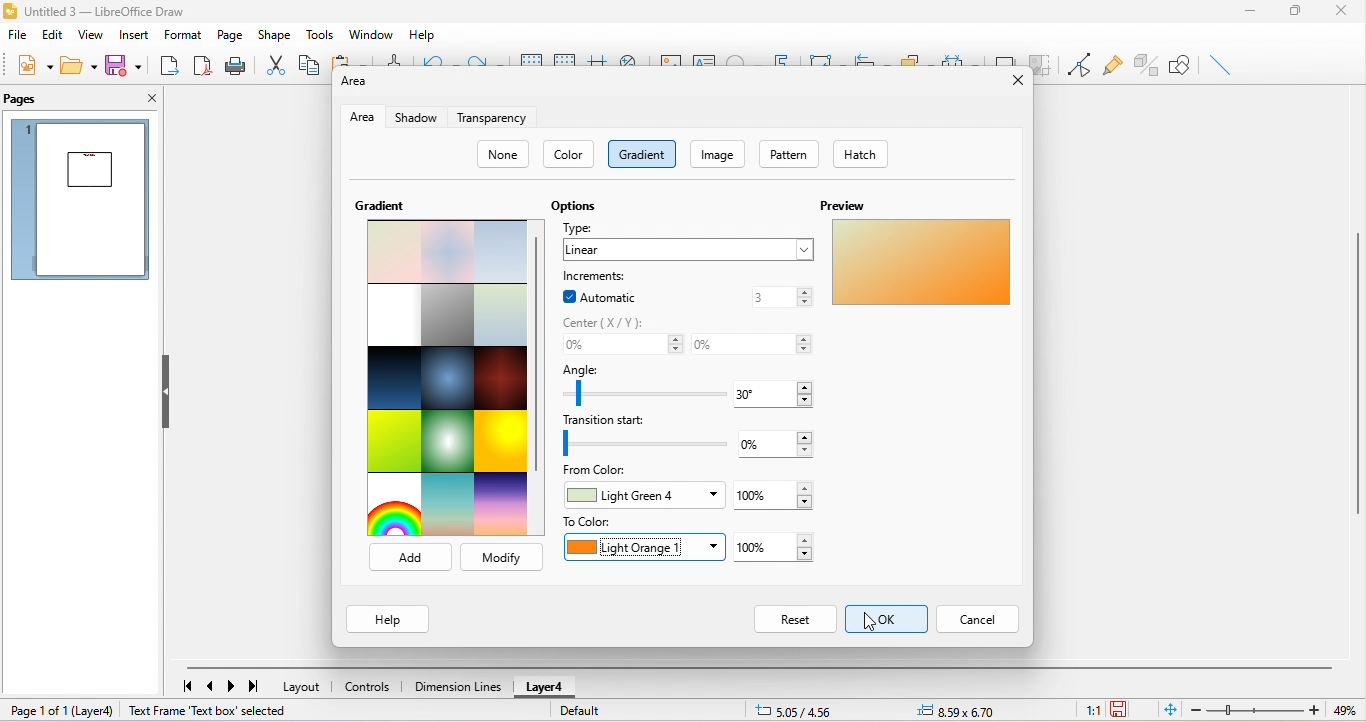 This screenshot has width=1366, height=722. I want to click on vertical scroll bar, so click(540, 359).